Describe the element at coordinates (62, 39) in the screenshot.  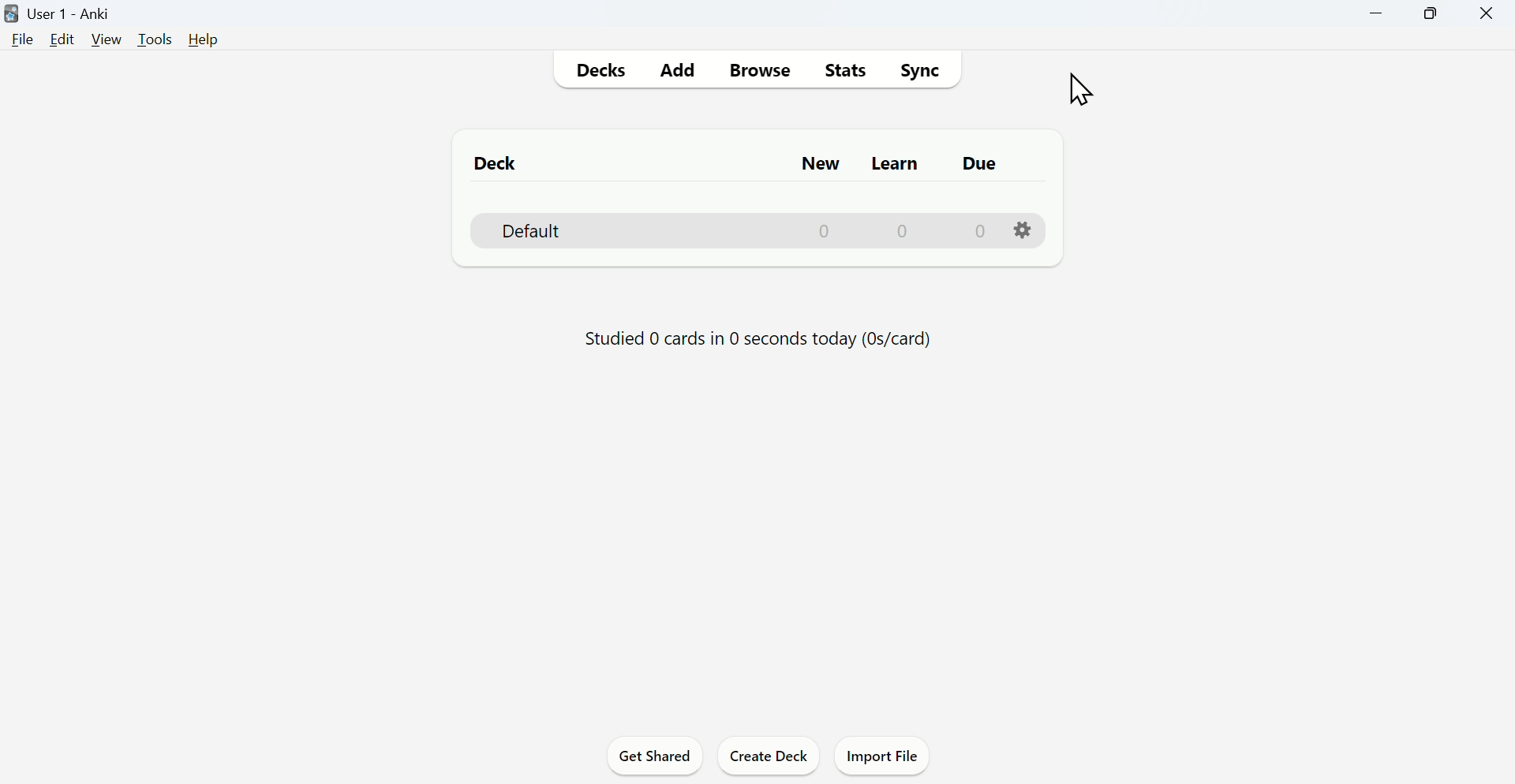
I see `Edit` at that location.